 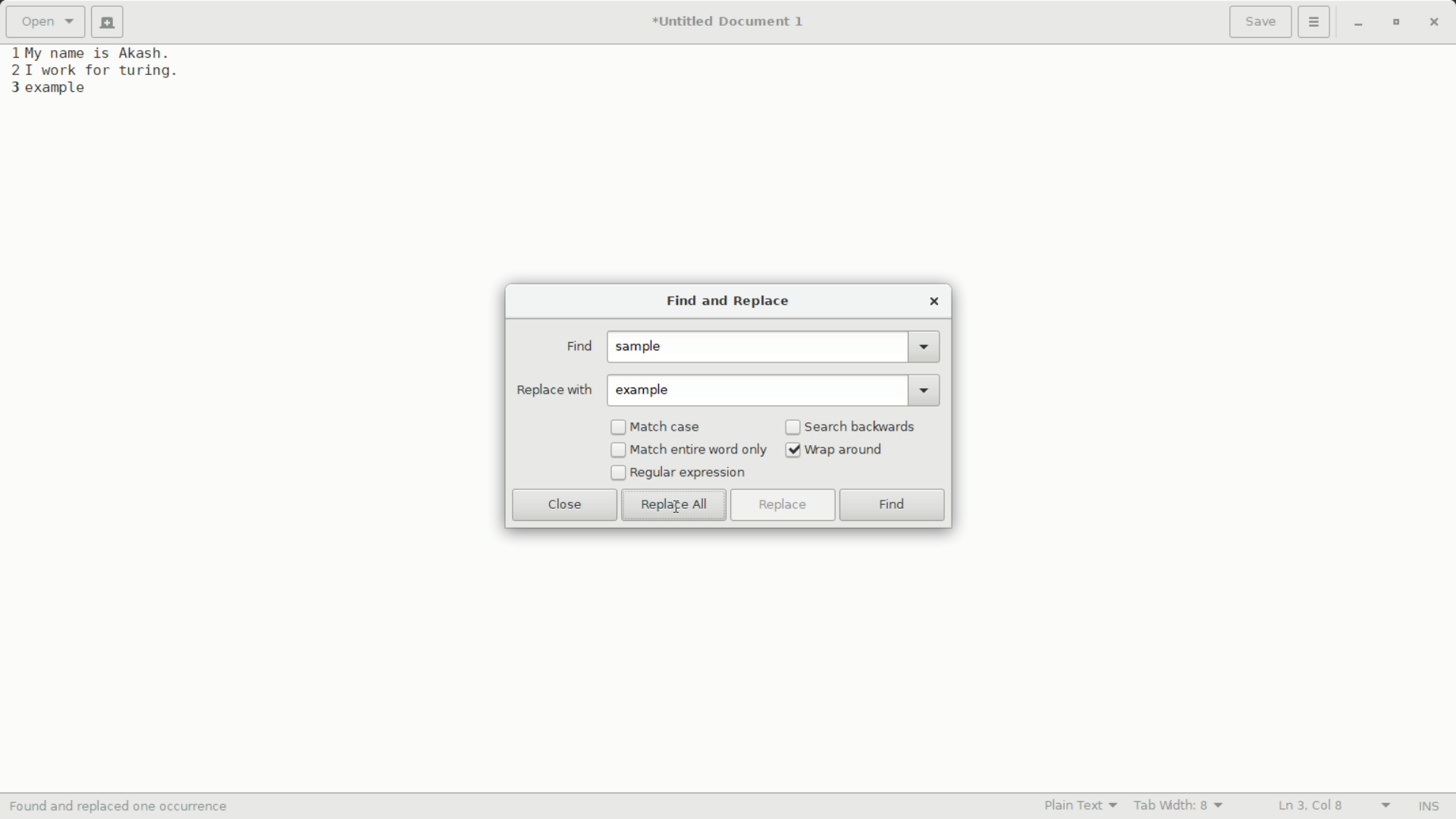 What do you see at coordinates (689, 473) in the screenshot?
I see `regular expression` at bounding box center [689, 473].